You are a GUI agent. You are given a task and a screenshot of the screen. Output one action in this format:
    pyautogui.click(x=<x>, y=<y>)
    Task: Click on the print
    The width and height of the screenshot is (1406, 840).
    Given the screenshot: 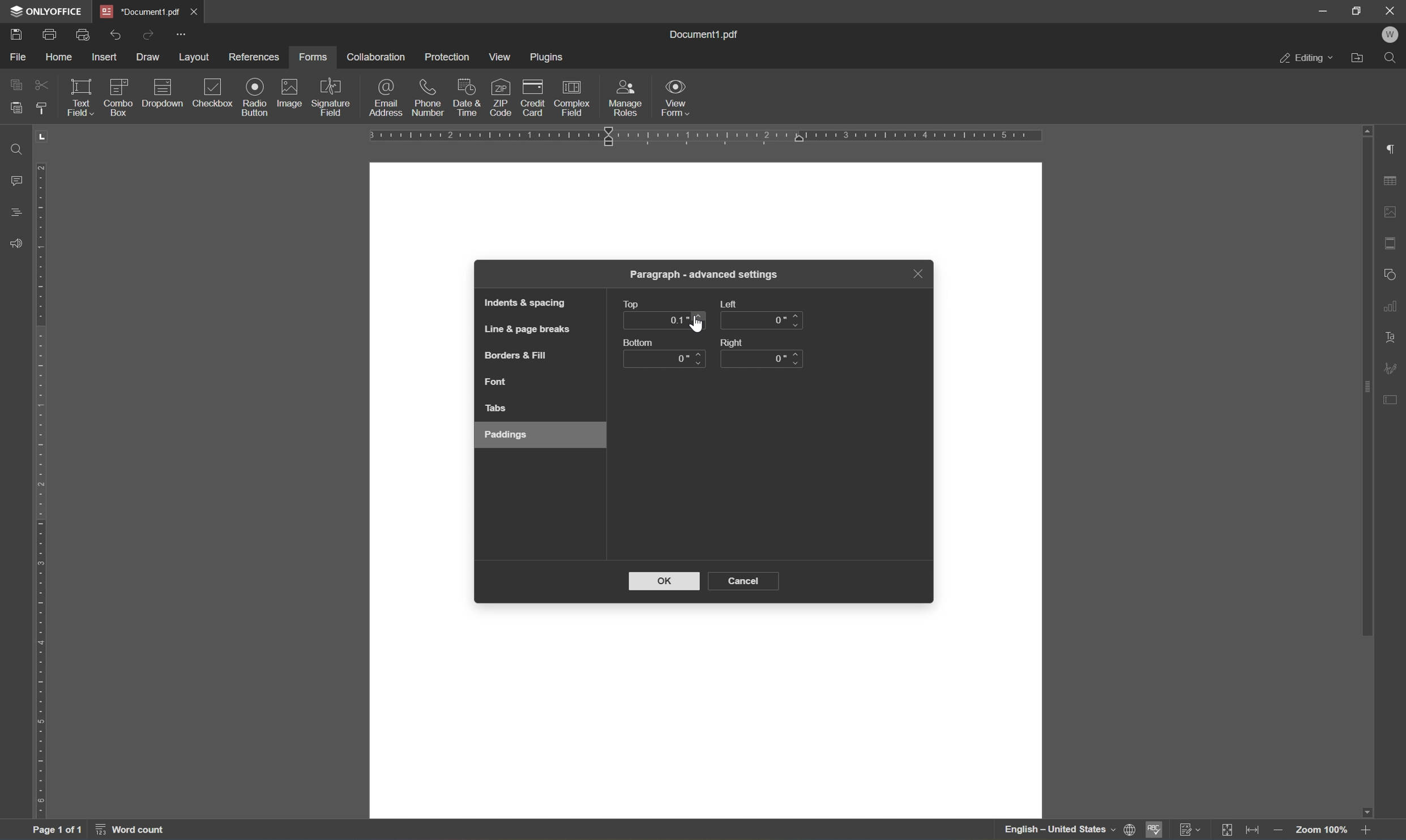 What is the action you would take?
    pyautogui.click(x=49, y=33)
    